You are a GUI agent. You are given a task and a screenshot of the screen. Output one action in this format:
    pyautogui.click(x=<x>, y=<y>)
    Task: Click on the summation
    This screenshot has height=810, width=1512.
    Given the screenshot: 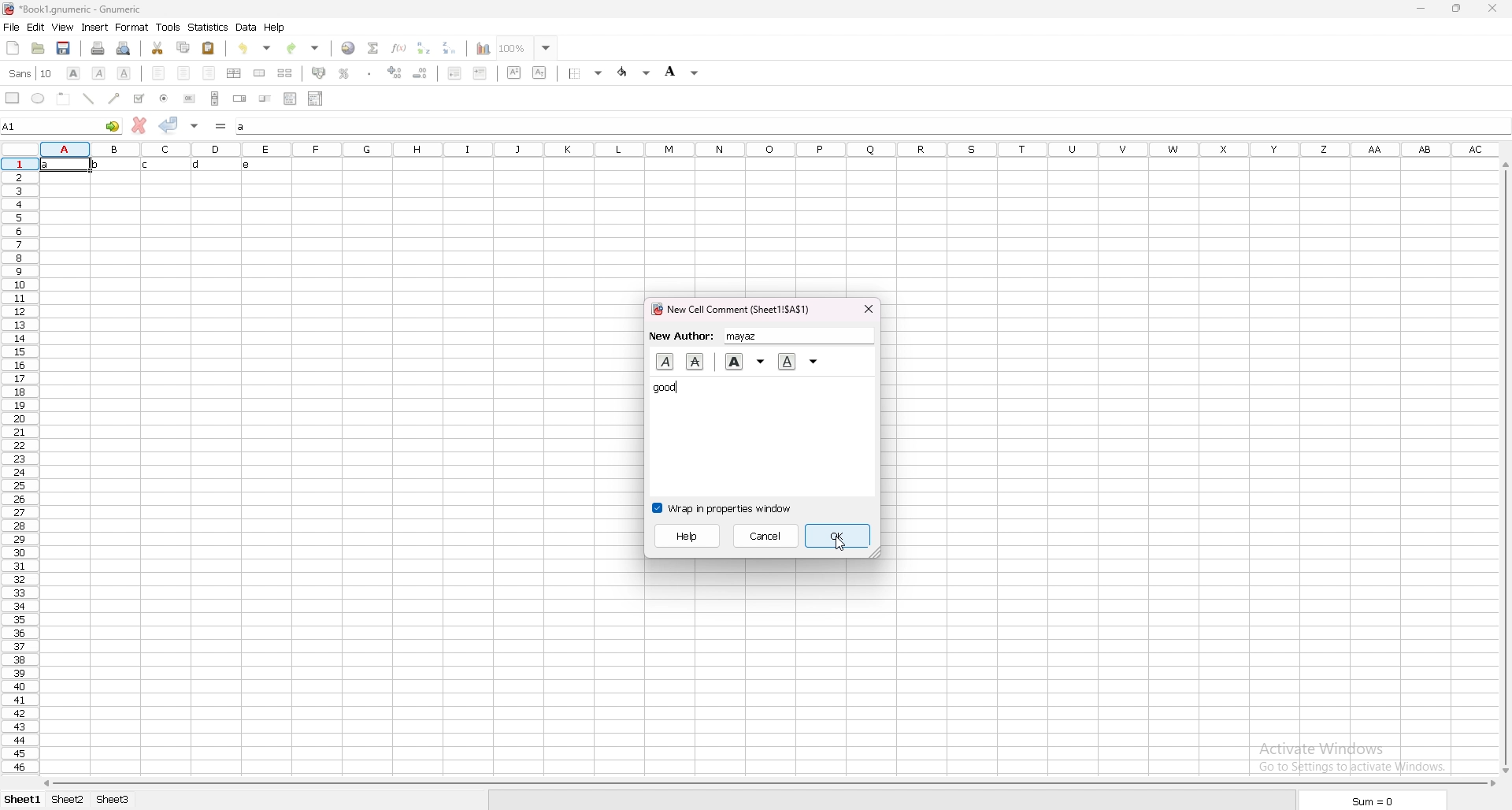 What is the action you would take?
    pyautogui.click(x=374, y=48)
    